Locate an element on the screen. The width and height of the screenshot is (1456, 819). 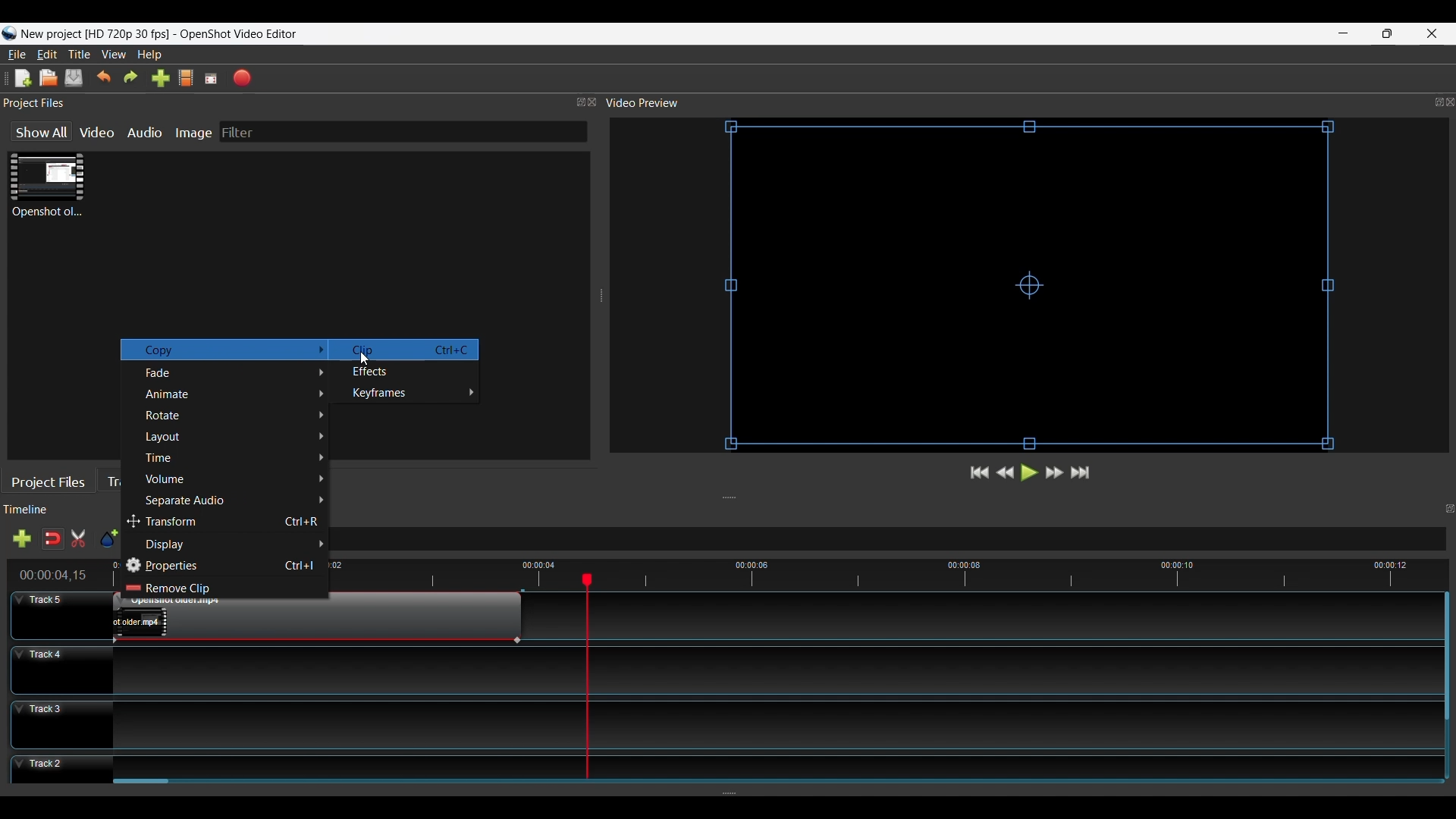
Add track is located at coordinates (19, 540).